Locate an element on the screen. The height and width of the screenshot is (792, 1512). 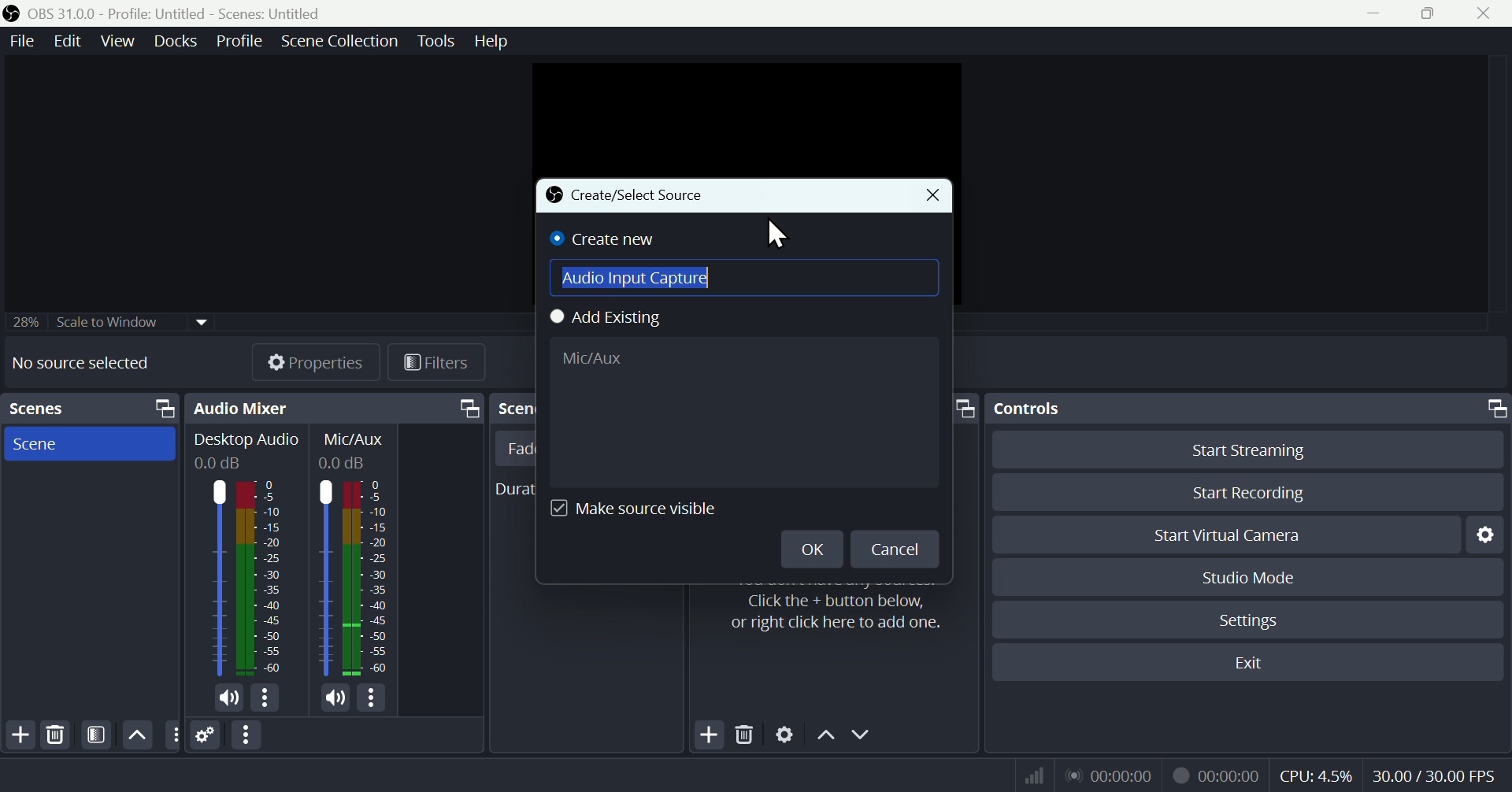
(un)check Make source visible is located at coordinates (643, 509).